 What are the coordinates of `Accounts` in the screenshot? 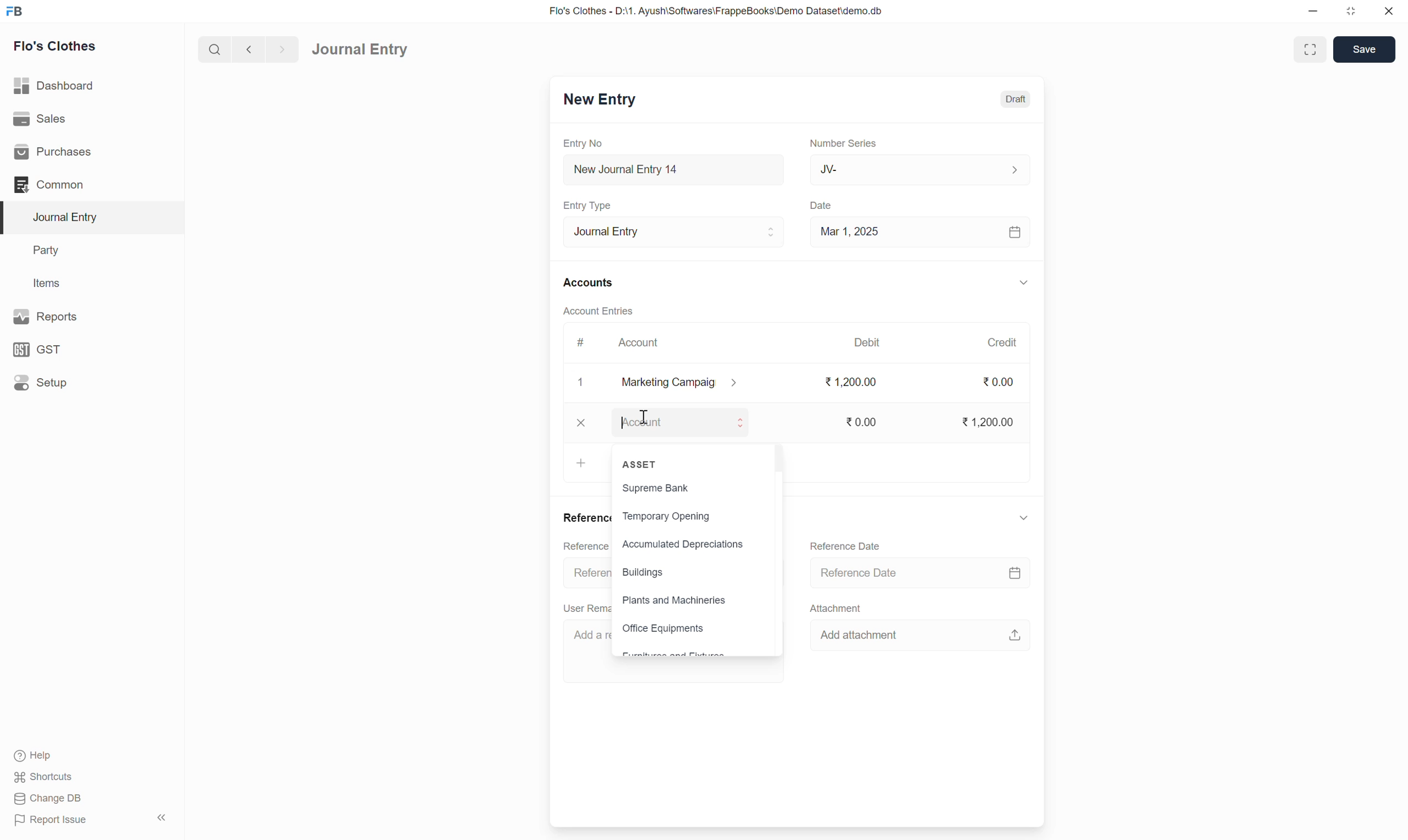 It's located at (590, 281).